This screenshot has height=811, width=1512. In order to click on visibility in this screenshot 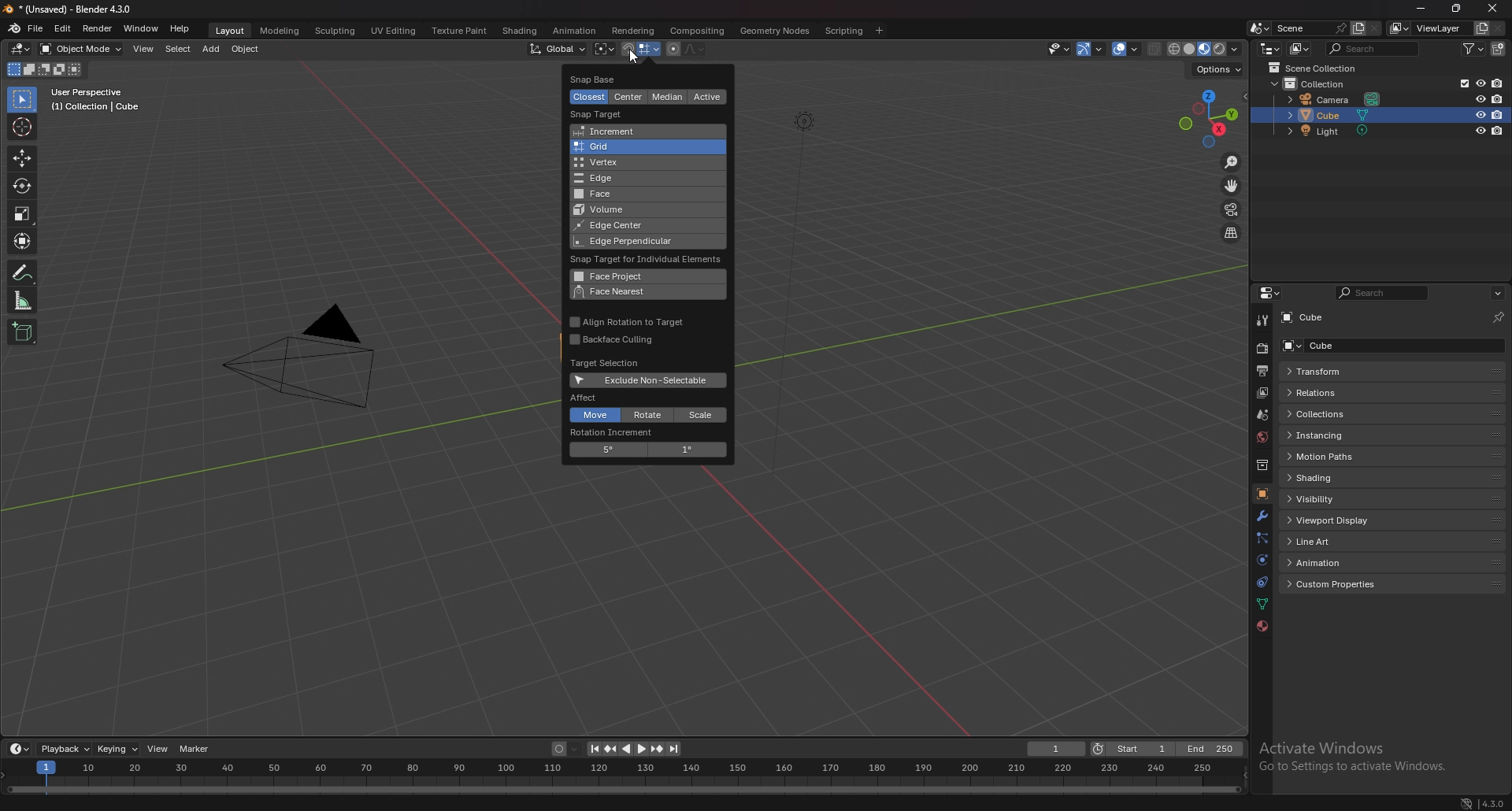, I will do `click(1336, 498)`.